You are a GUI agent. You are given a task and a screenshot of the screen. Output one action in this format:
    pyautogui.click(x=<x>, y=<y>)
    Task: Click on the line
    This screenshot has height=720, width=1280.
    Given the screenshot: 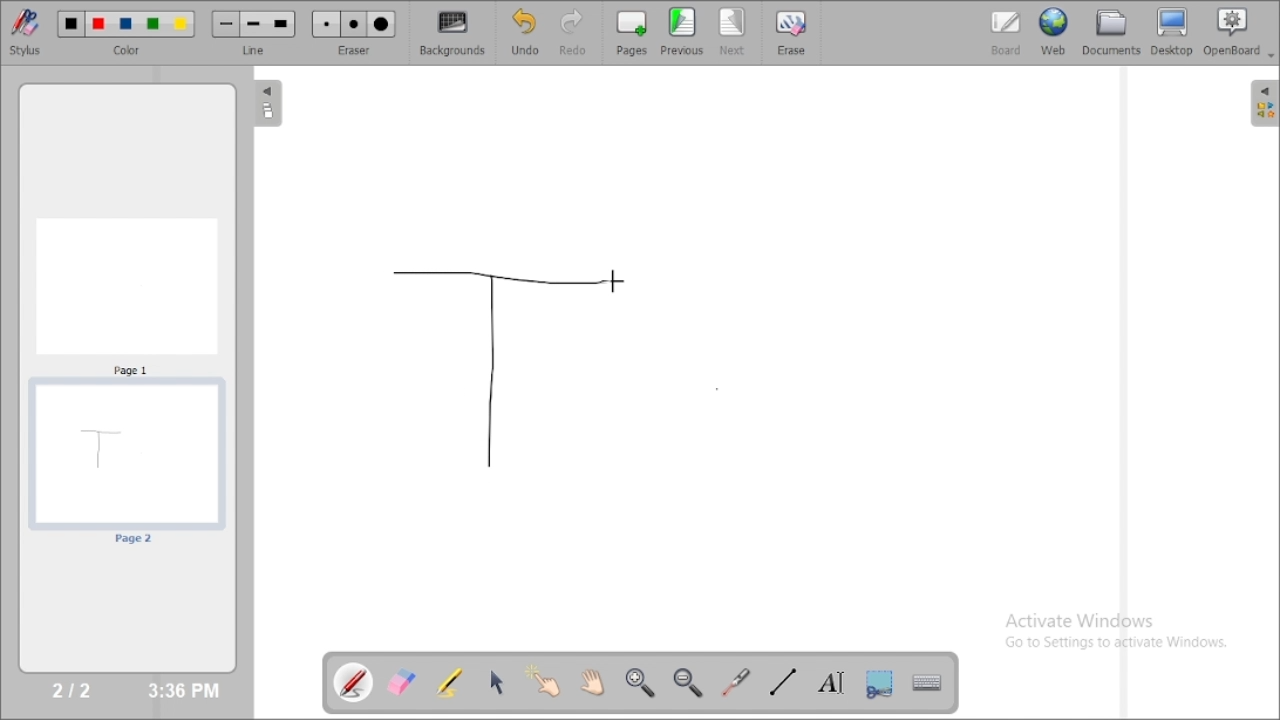 What is the action you would take?
    pyautogui.click(x=256, y=50)
    